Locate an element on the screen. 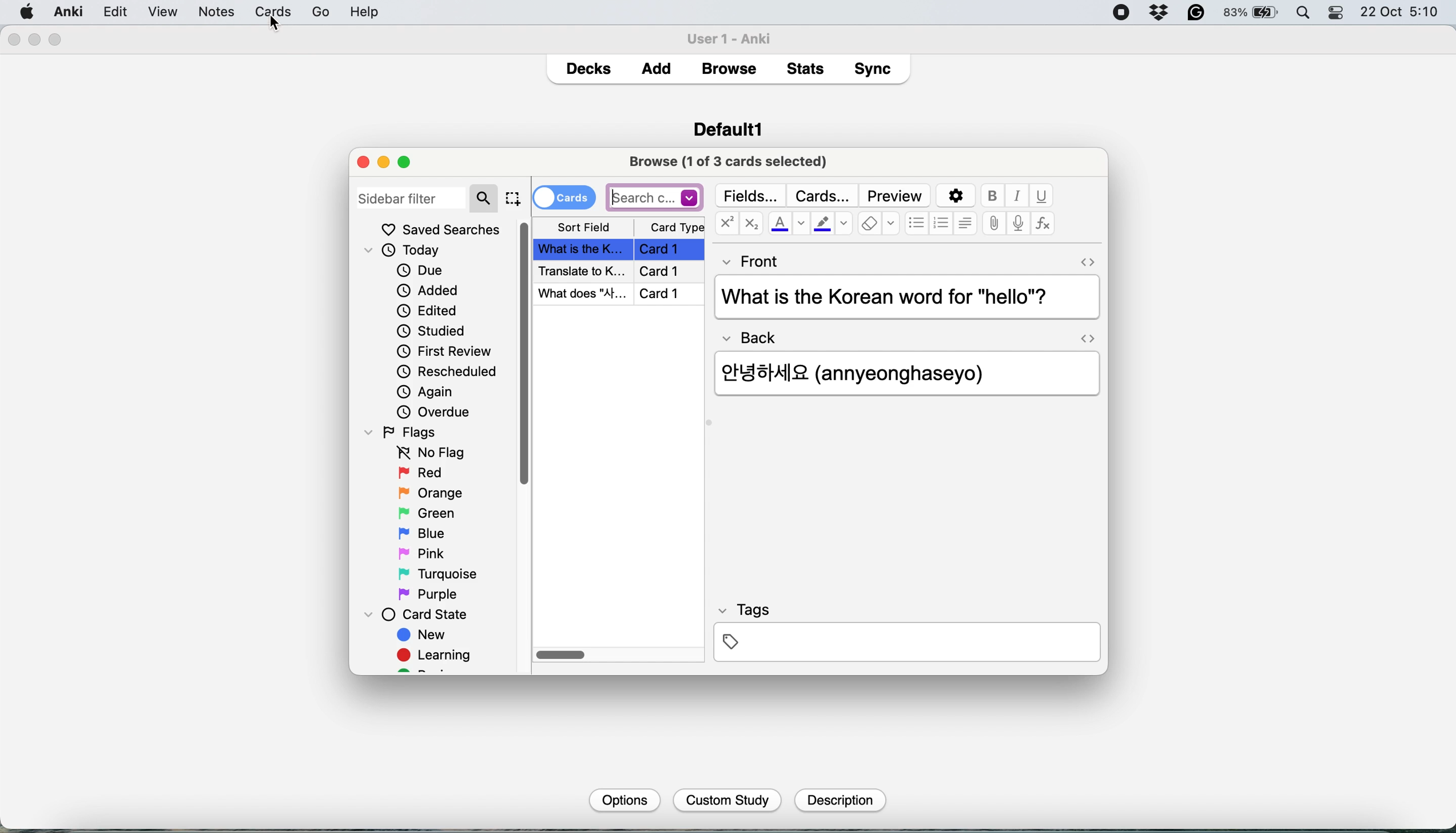 The height and width of the screenshot is (833, 1456). grammarly is located at coordinates (1197, 13).